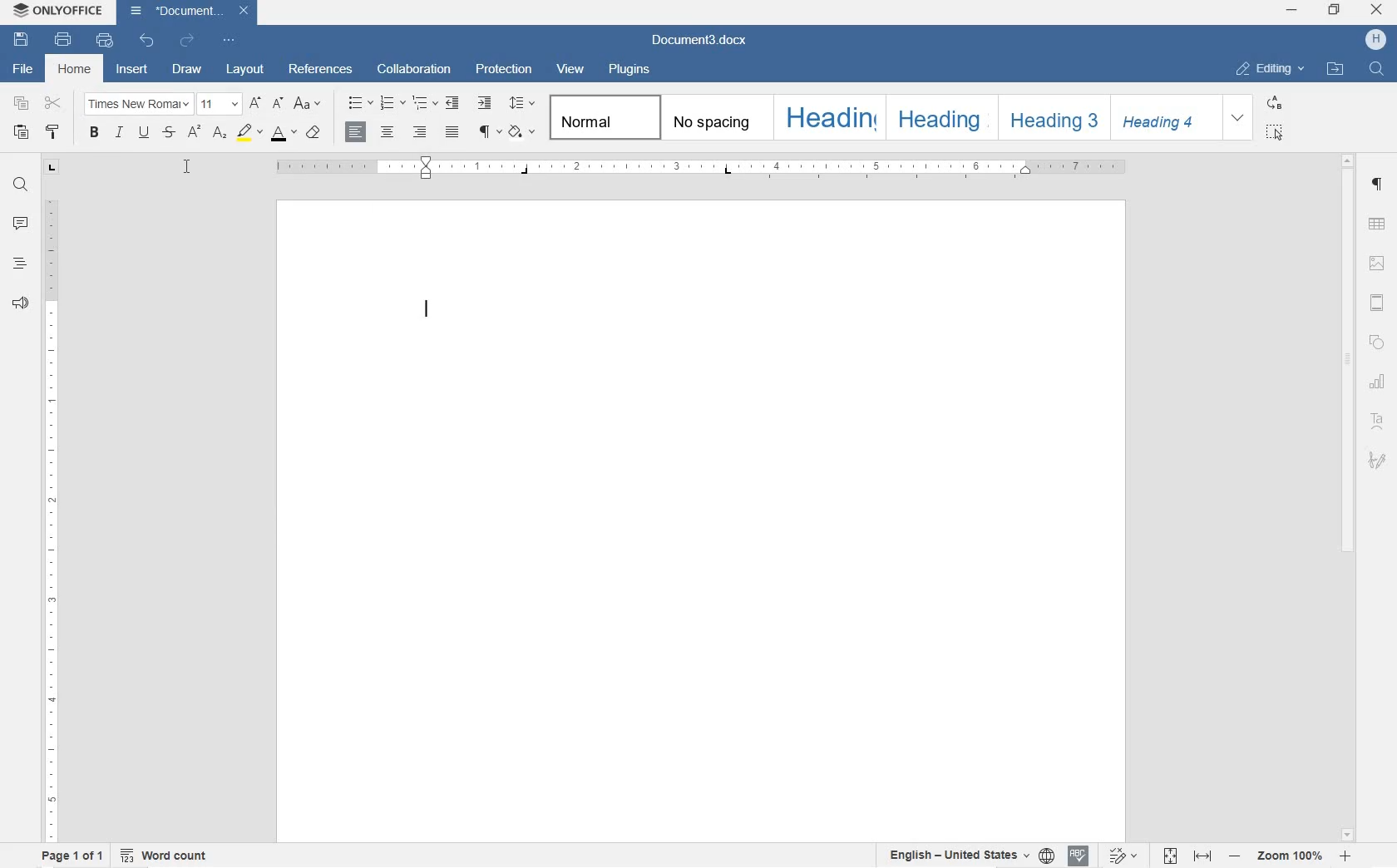 This screenshot has width=1397, height=868. I want to click on SET TEXT OR DOCUMENT LANGUAGE, so click(968, 854).